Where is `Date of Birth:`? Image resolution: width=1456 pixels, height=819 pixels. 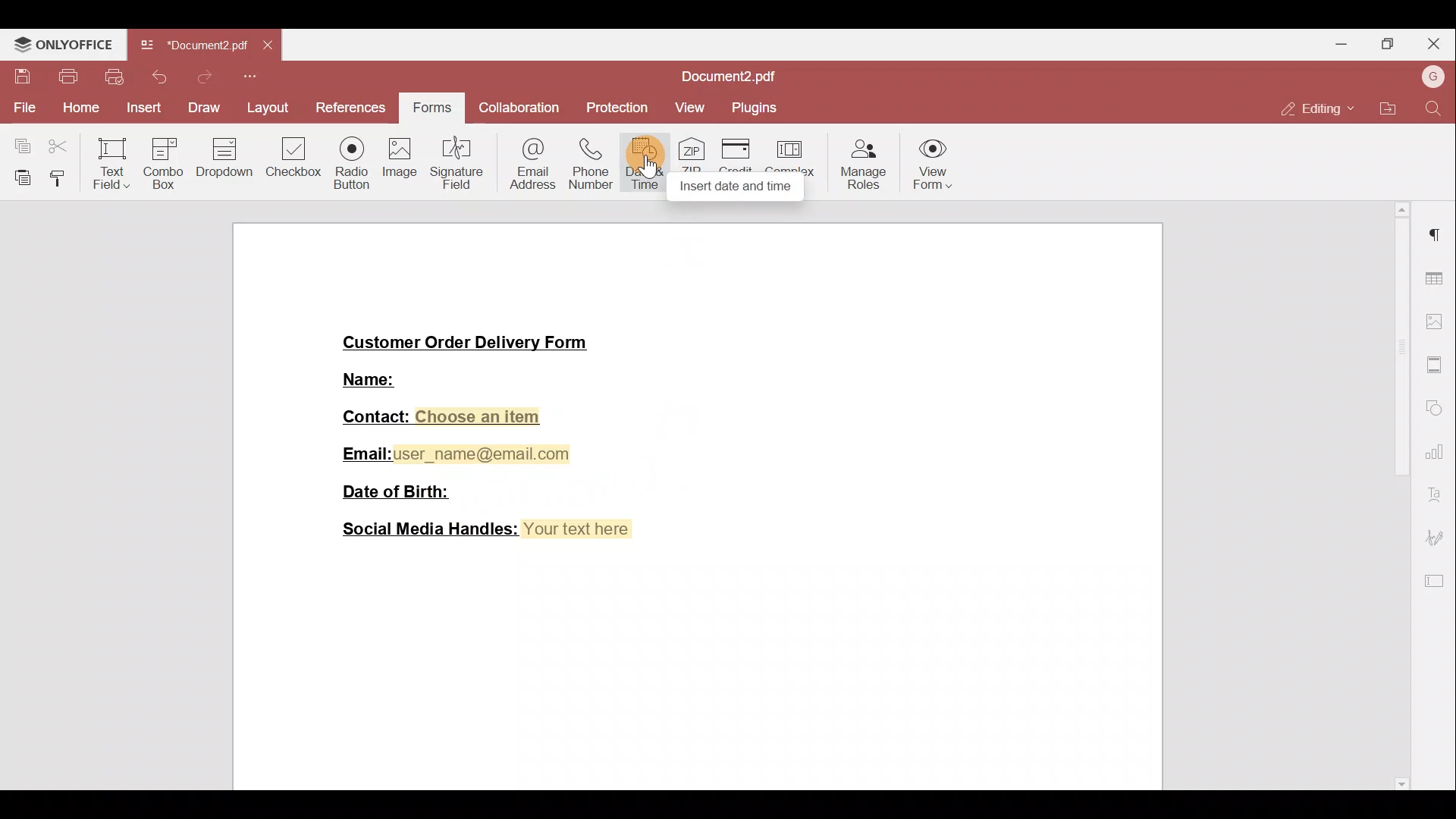
Date of Birth: is located at coordinates (394, 490).